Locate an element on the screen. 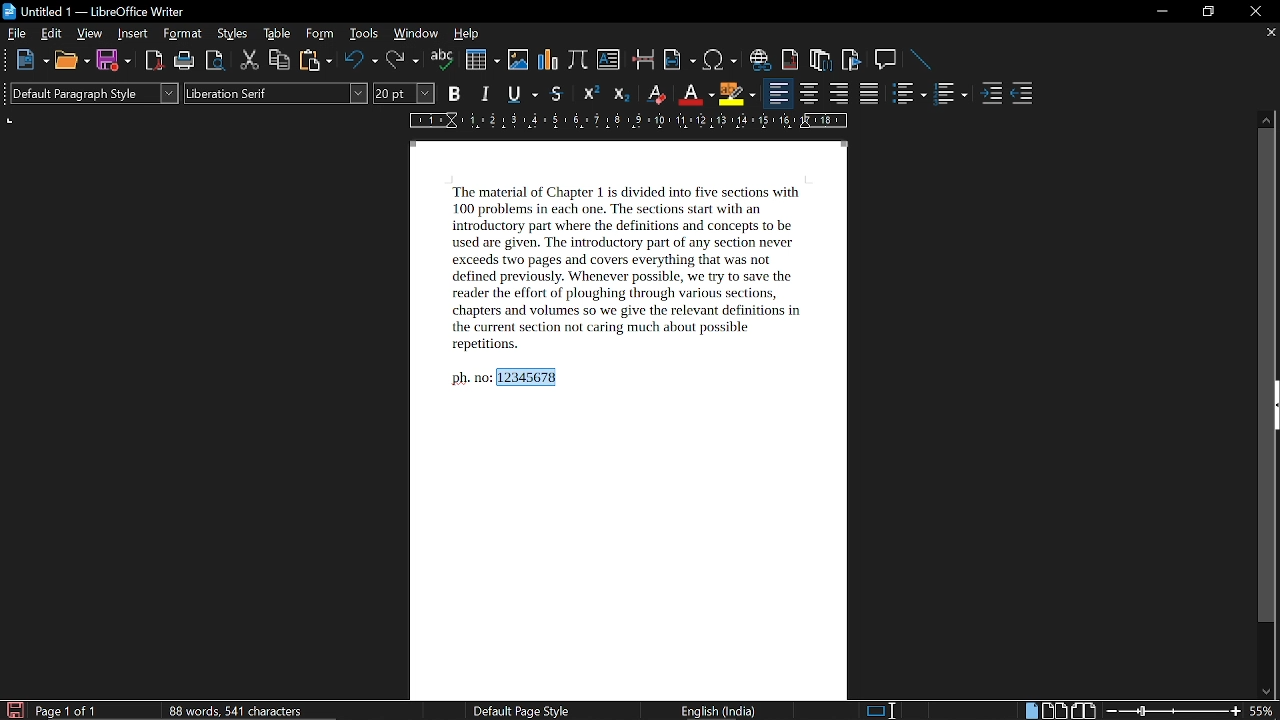 The image size is (1280, 720). tools is located at coordinates (363, 35).